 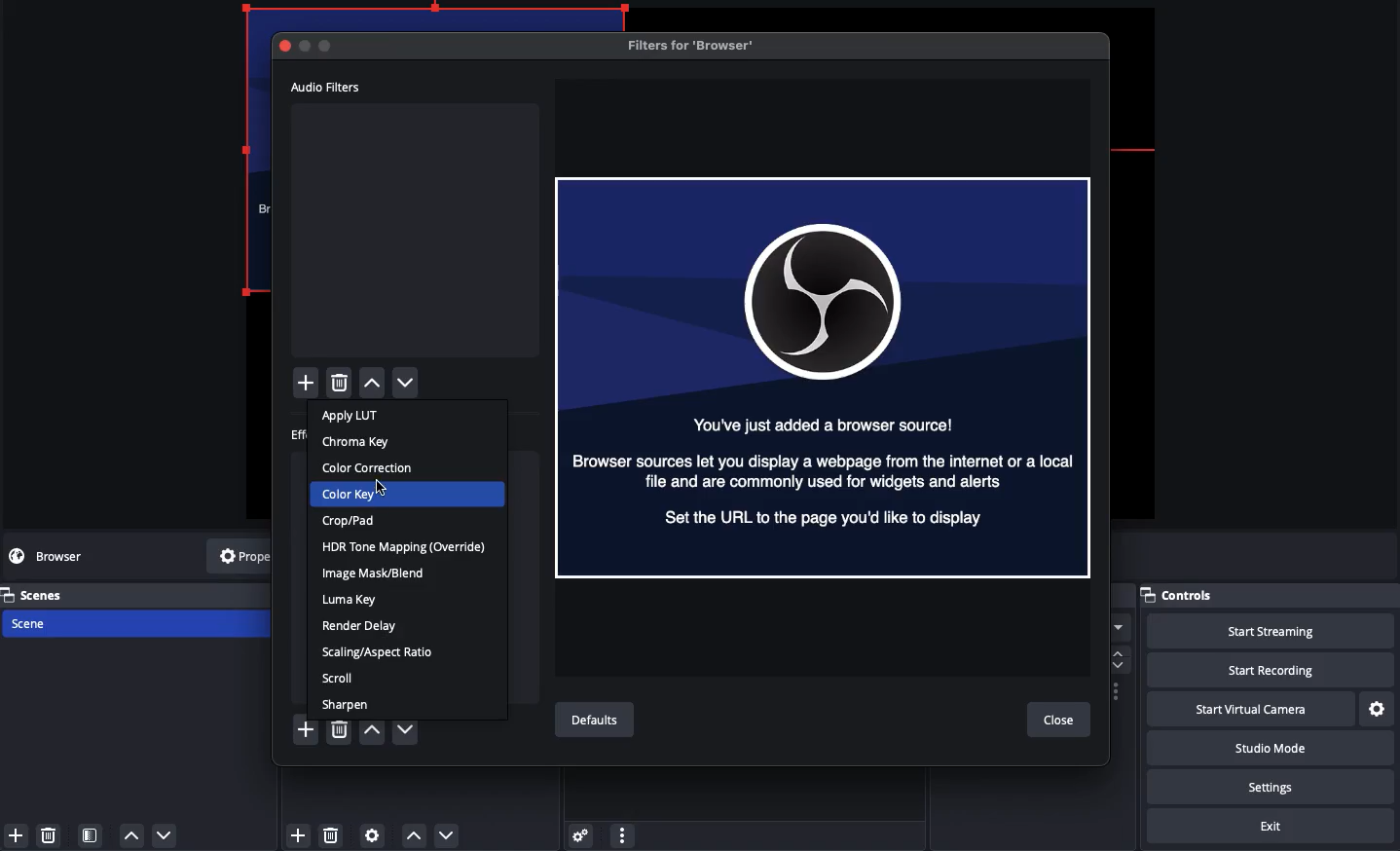 I want to click on Cursor, so click(x=384, y=485).